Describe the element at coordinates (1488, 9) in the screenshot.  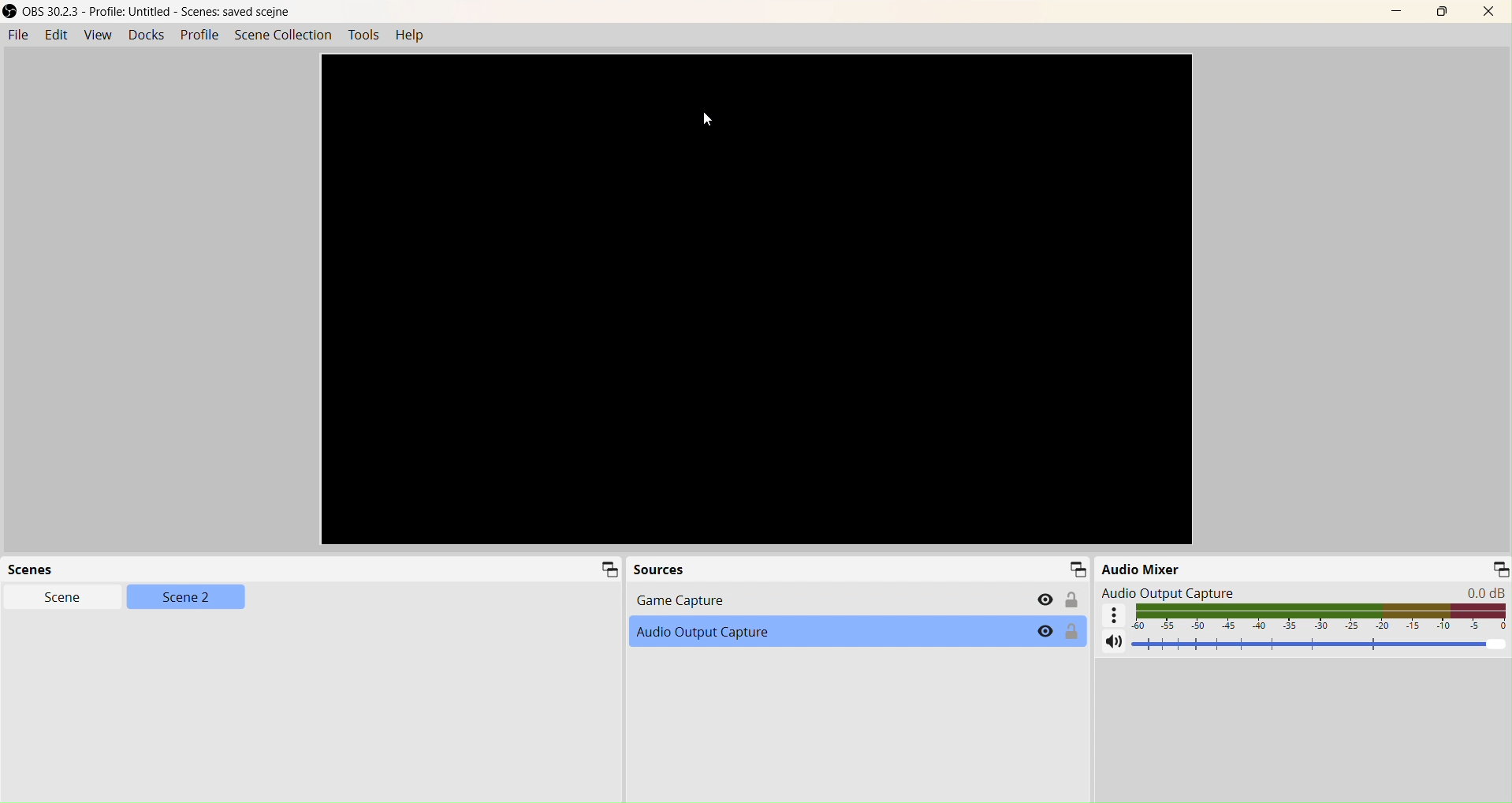
I see `Close` at that location.